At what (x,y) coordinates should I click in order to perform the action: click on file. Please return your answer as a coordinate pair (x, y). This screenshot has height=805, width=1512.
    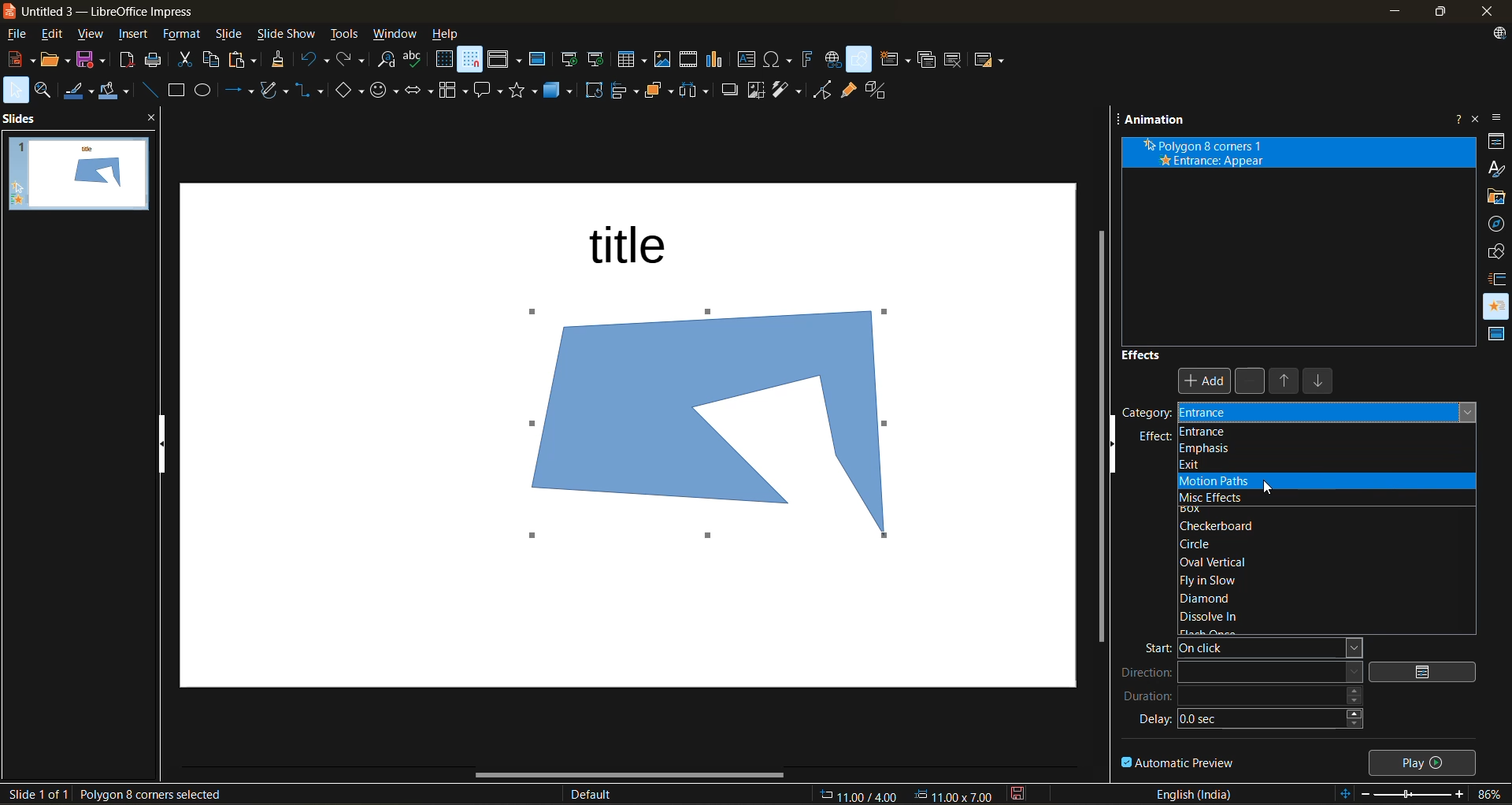
    Looking at the image, I should click on (16, 32).